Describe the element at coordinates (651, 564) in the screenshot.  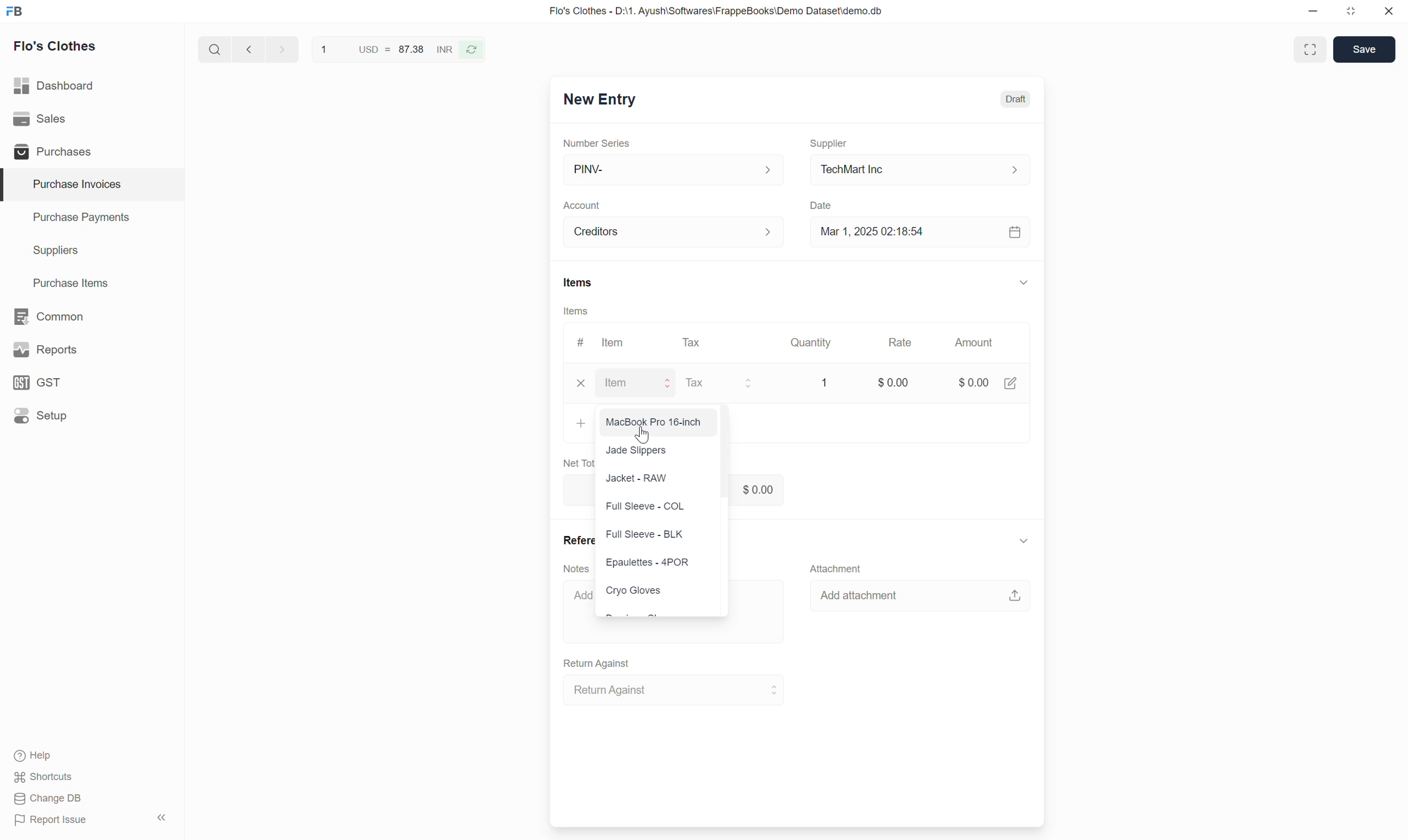
I see `Epaulettes - 4POR` at that location.